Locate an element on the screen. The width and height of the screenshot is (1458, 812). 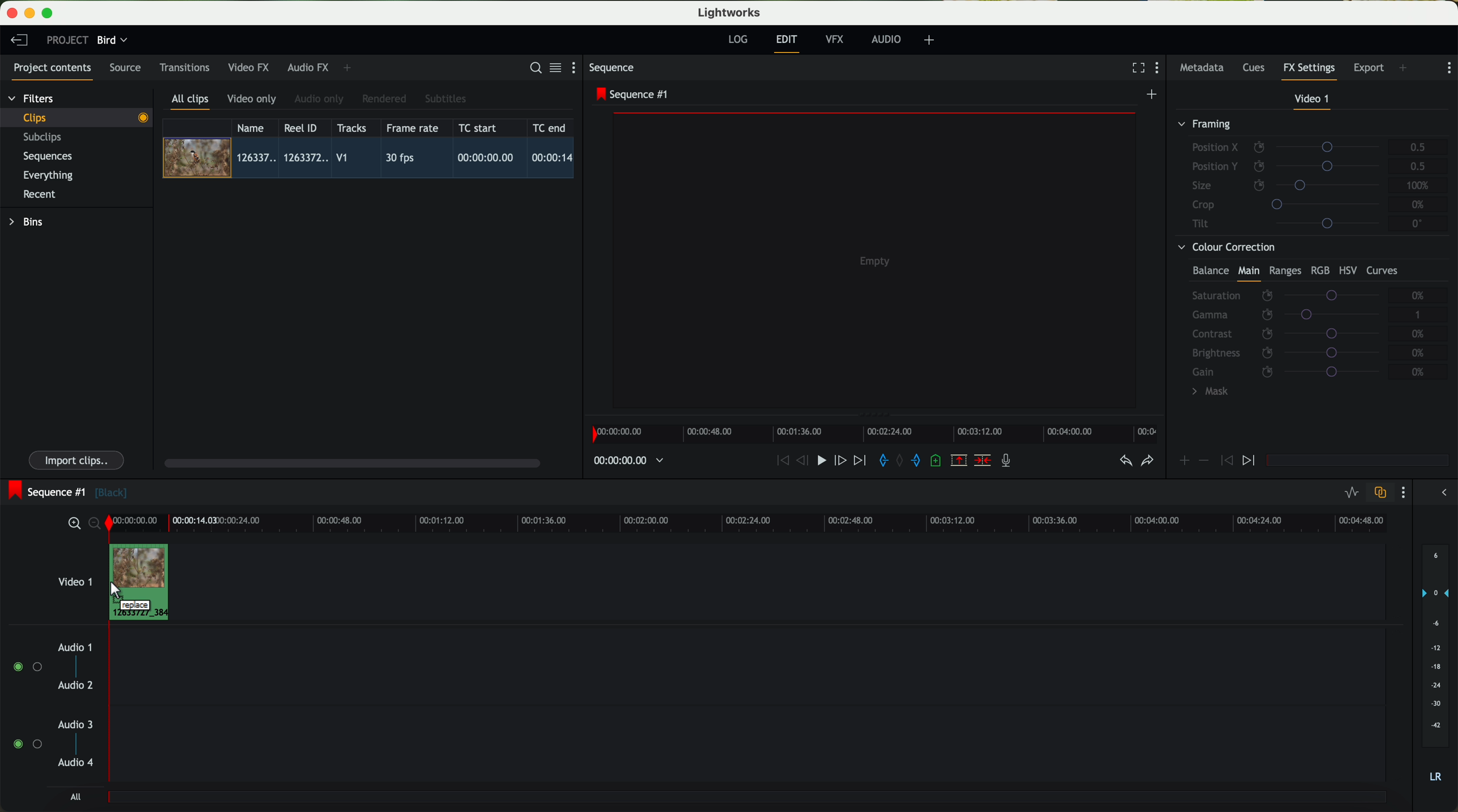
add panel is located at coordinates (350, 68).